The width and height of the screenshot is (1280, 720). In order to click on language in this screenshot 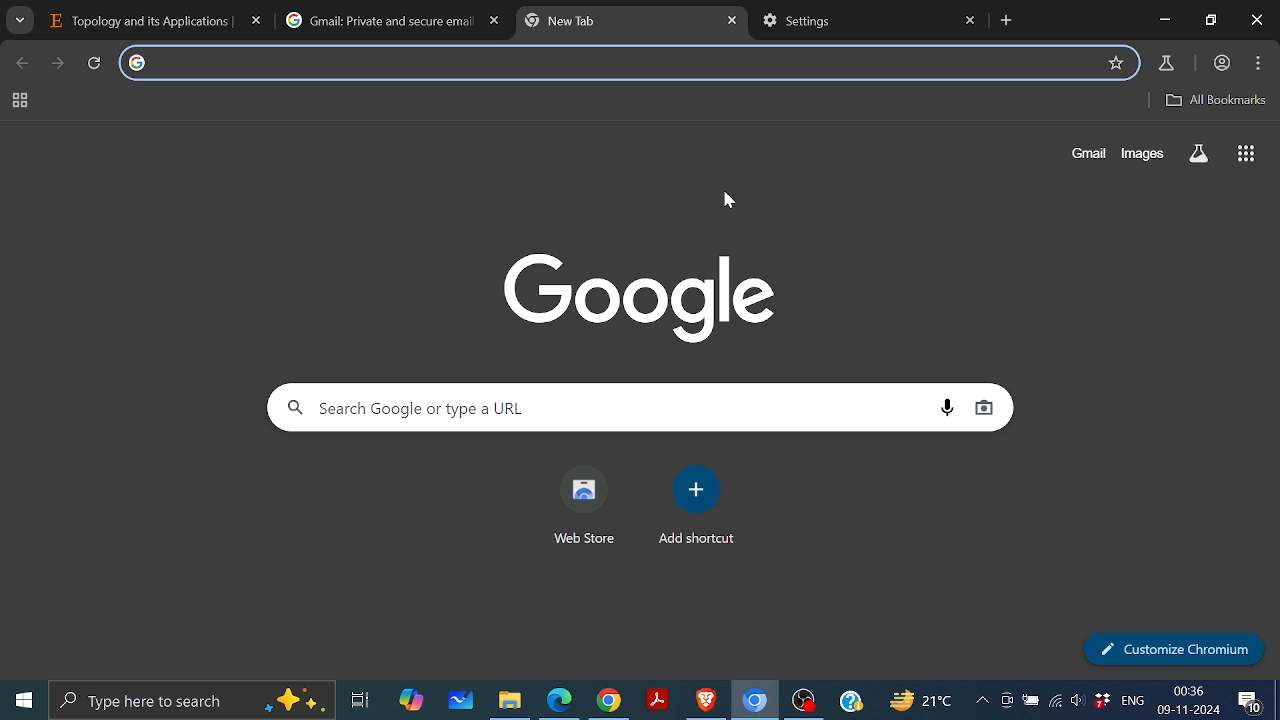, I will do `click(1132, 701)`.